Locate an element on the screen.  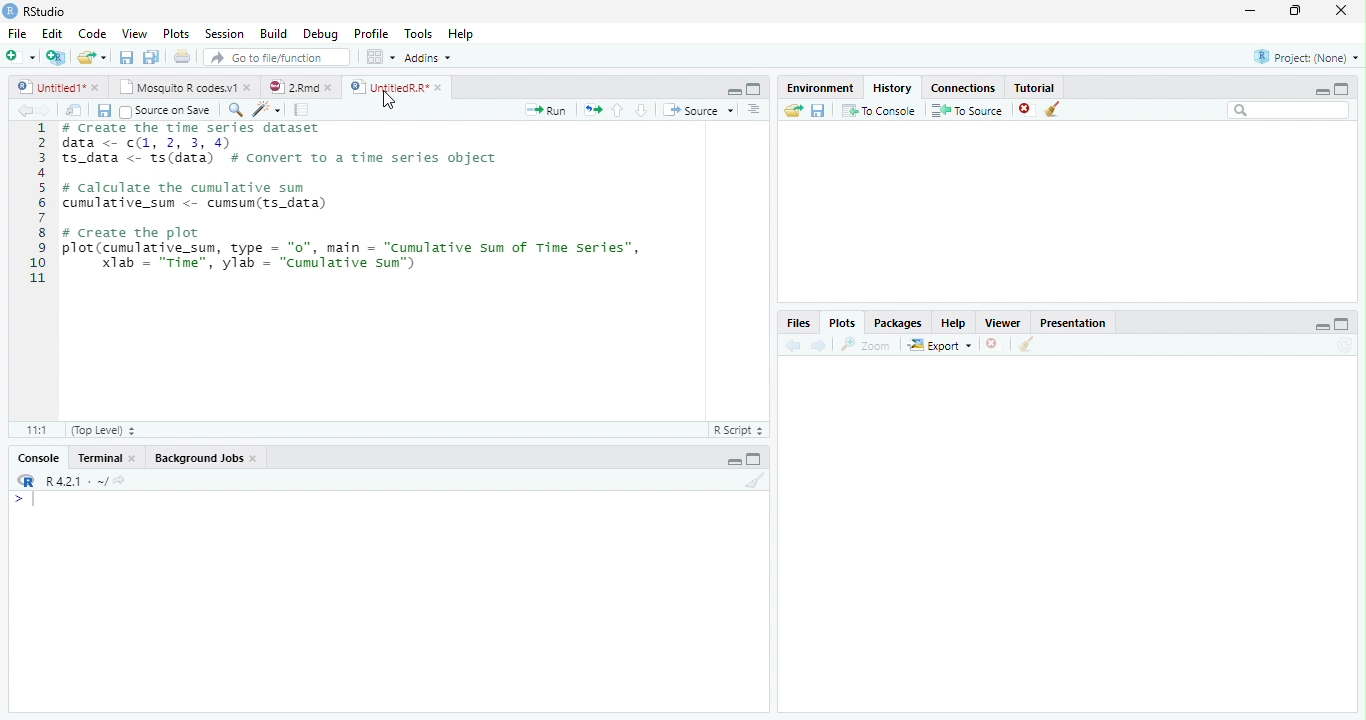
Presentation is located at coordinates (1074, 324).